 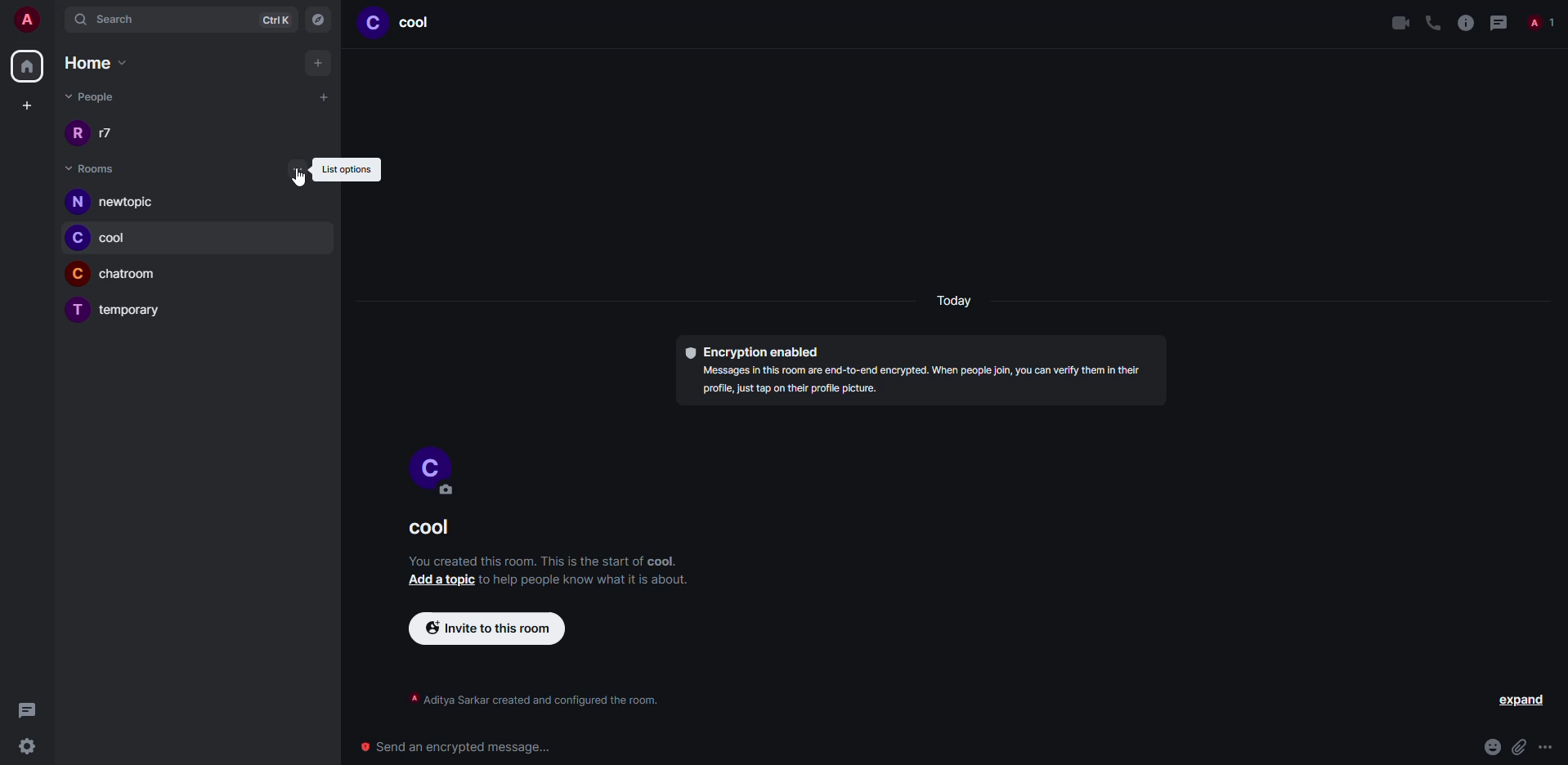 What do you see at coordinates (135, 314) in the screenshot?
I see `room` at bounding box center [135, 314].